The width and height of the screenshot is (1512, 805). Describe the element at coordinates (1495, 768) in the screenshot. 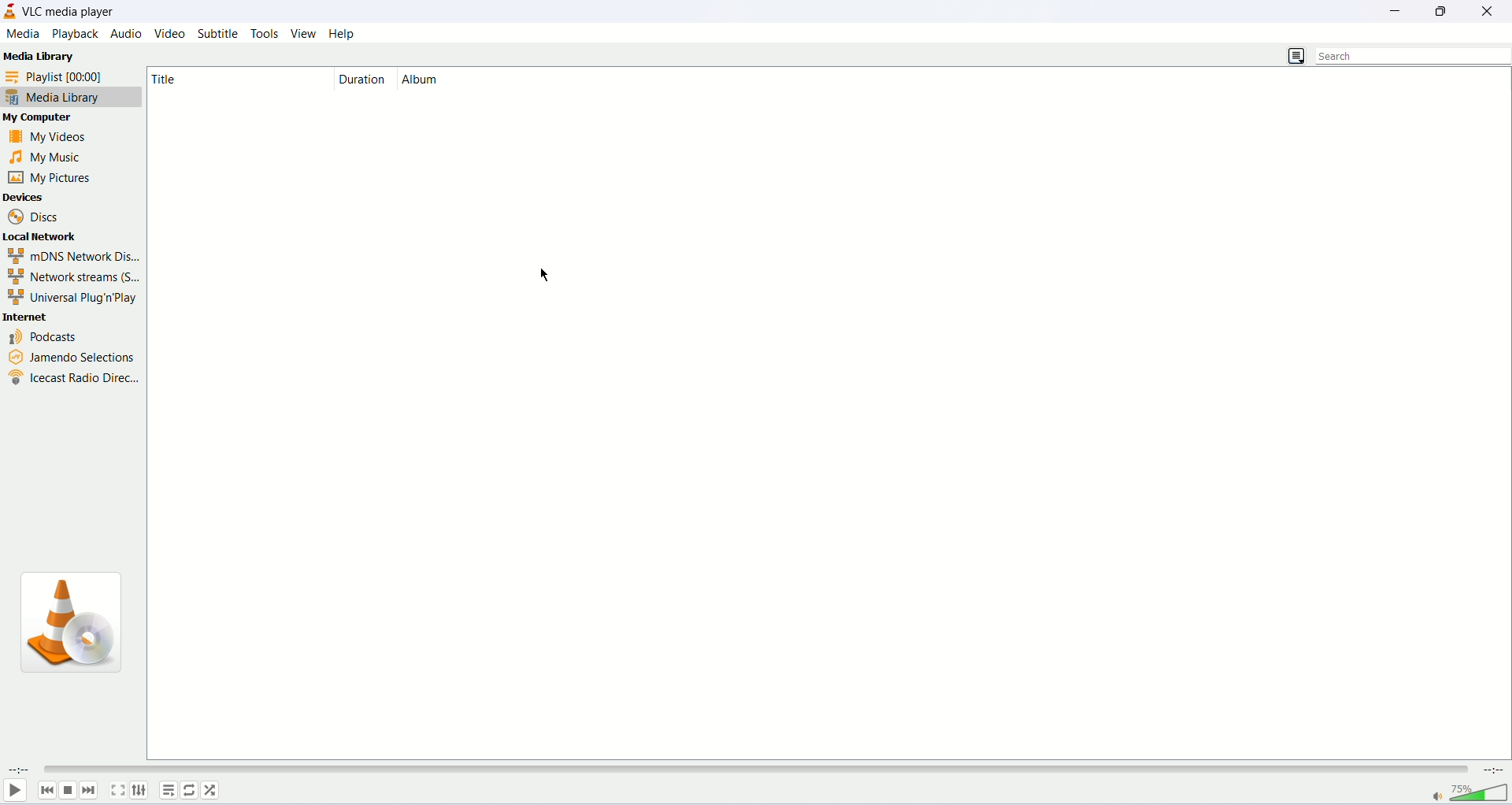

I see `total time` at that location.